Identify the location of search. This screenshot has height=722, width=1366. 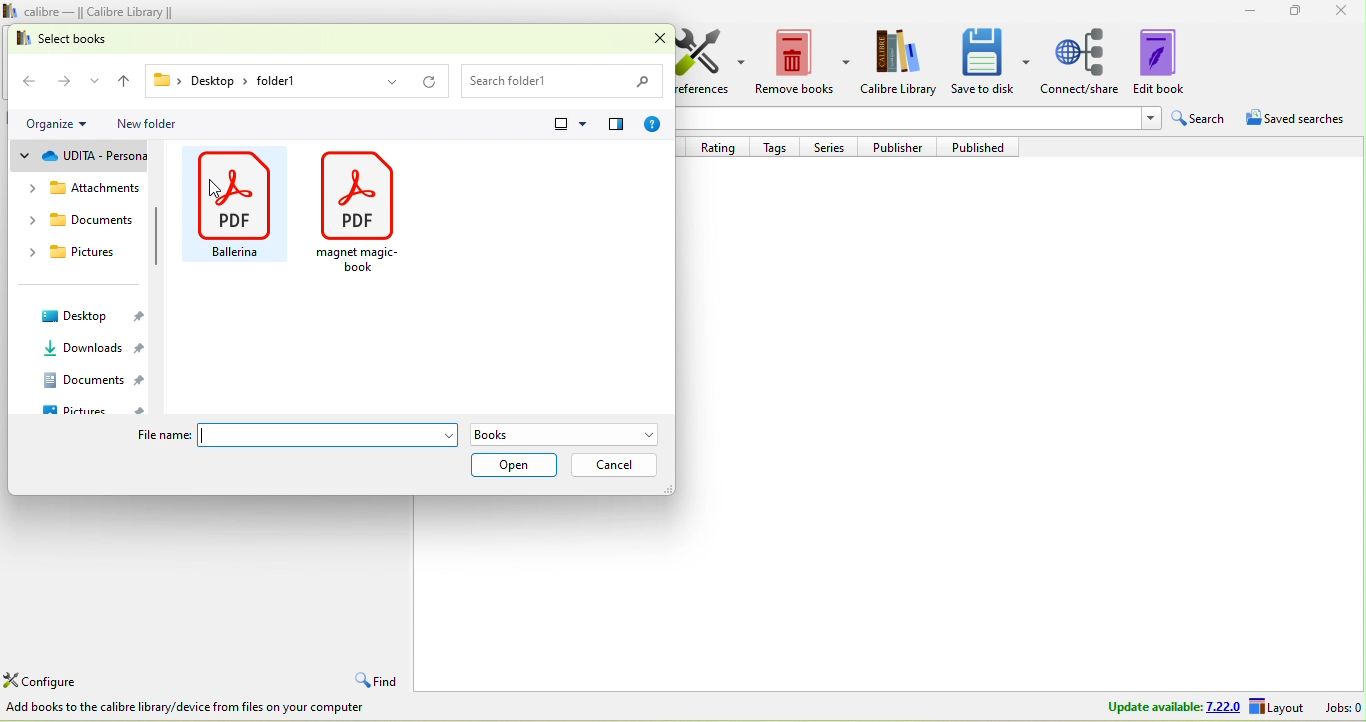
(1200, 116).